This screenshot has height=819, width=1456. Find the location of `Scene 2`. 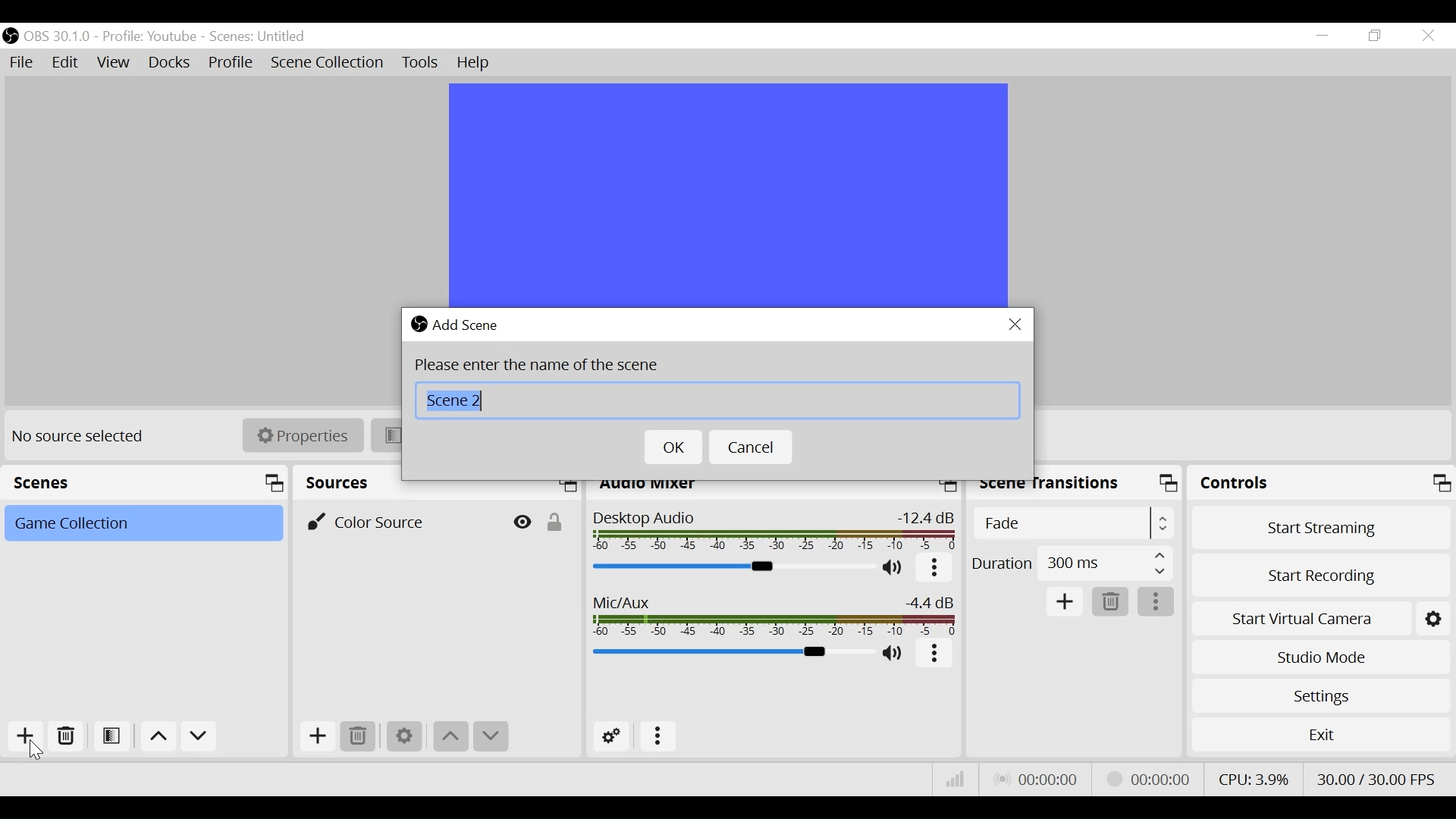

Scene 2 is located at coordinates (717, 401).